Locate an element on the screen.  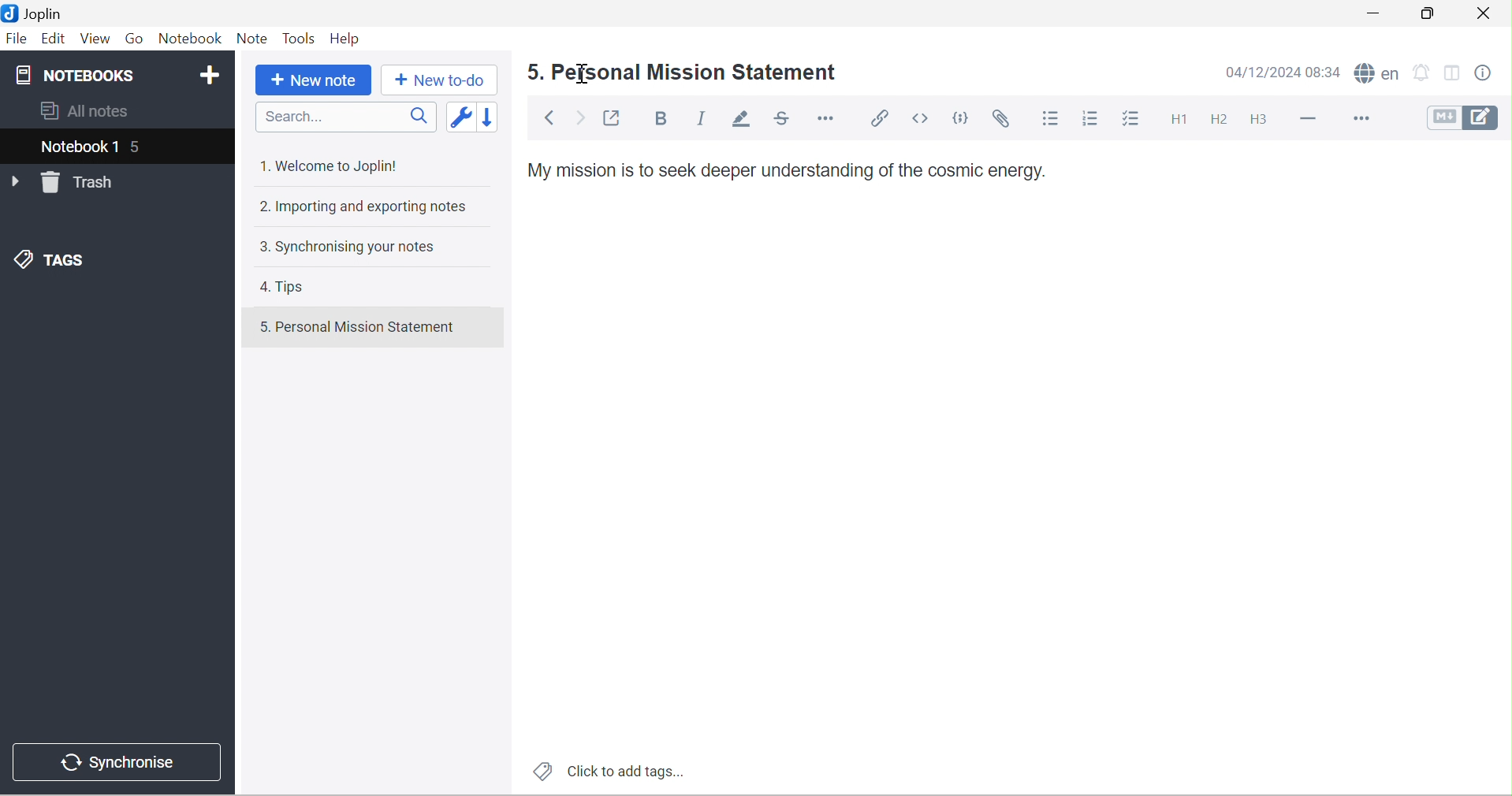
Bold is located at coordinates (660, 118).